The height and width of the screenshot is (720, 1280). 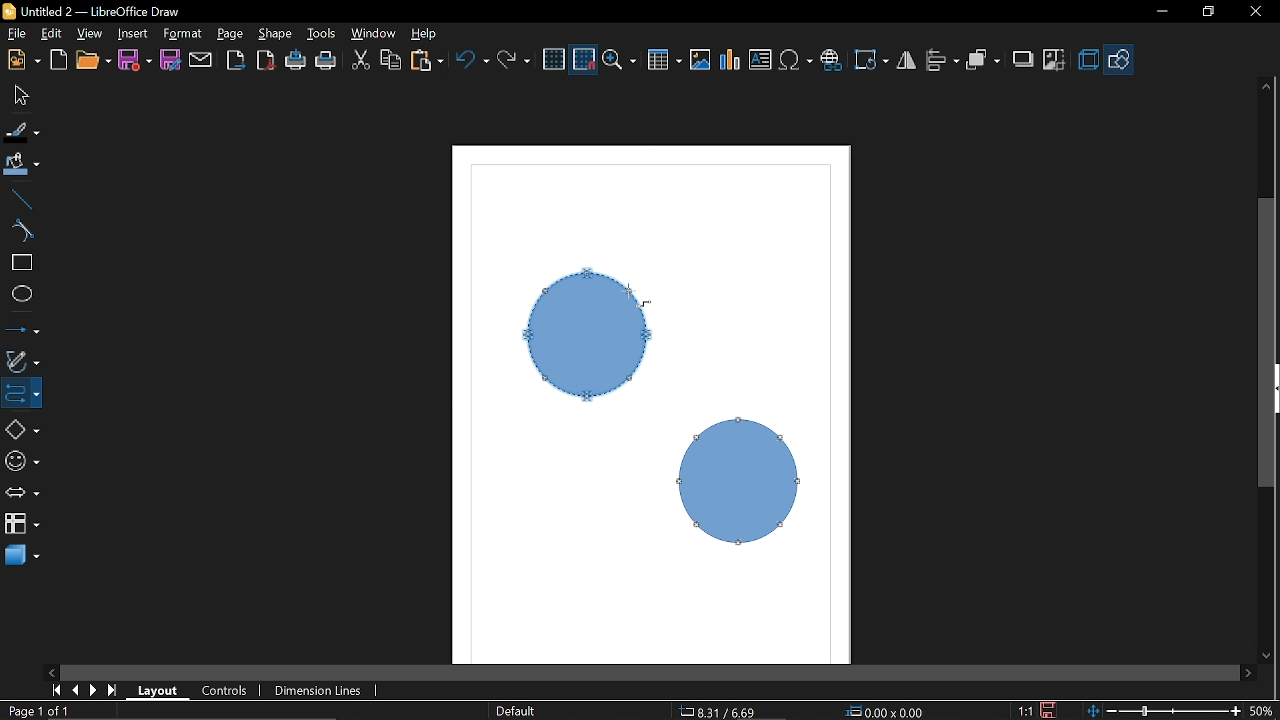 I want to click on Curve, so click(x=18, y=229).